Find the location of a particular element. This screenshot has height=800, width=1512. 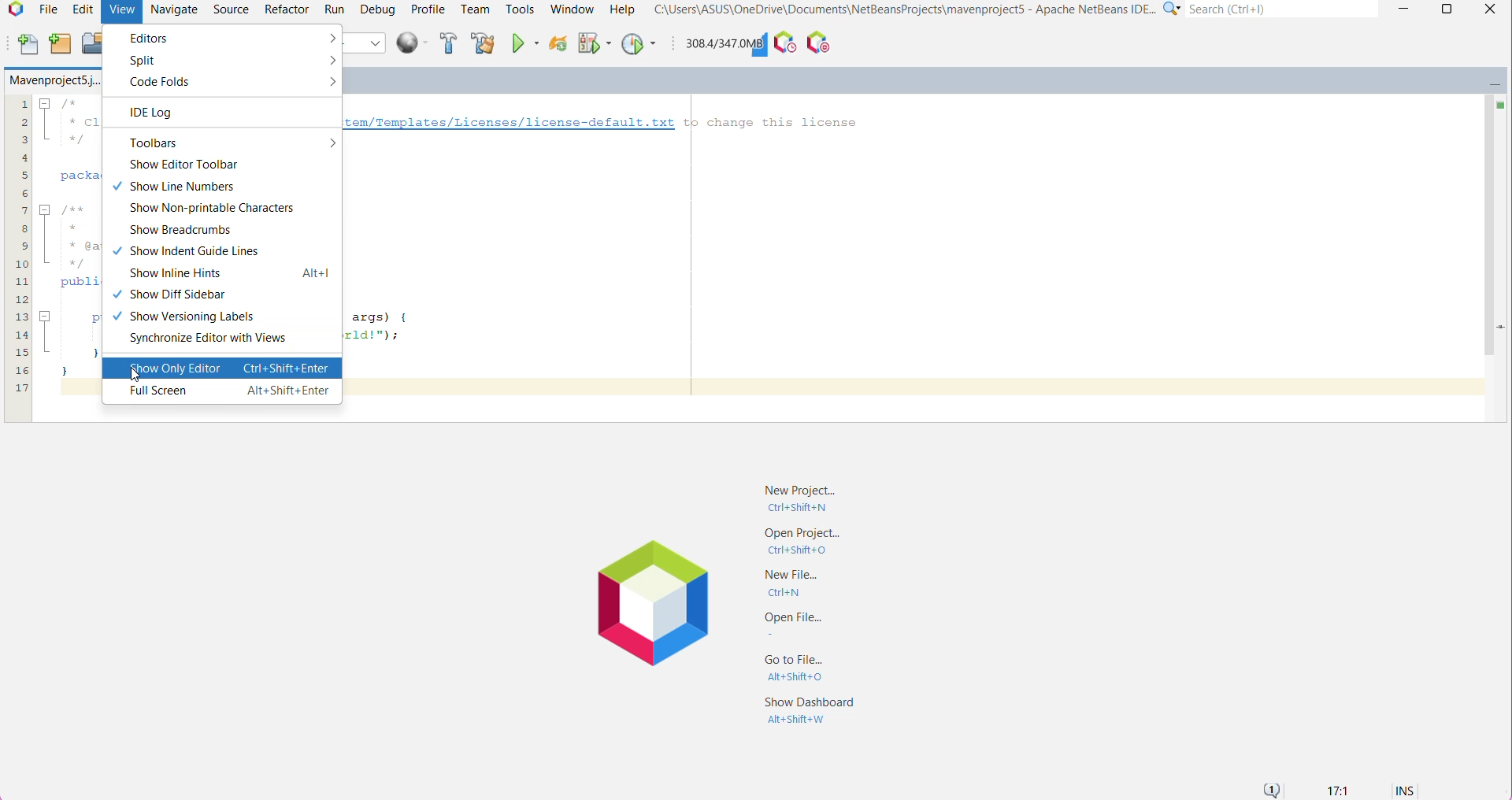

Window is located at coordinates (571, 9).